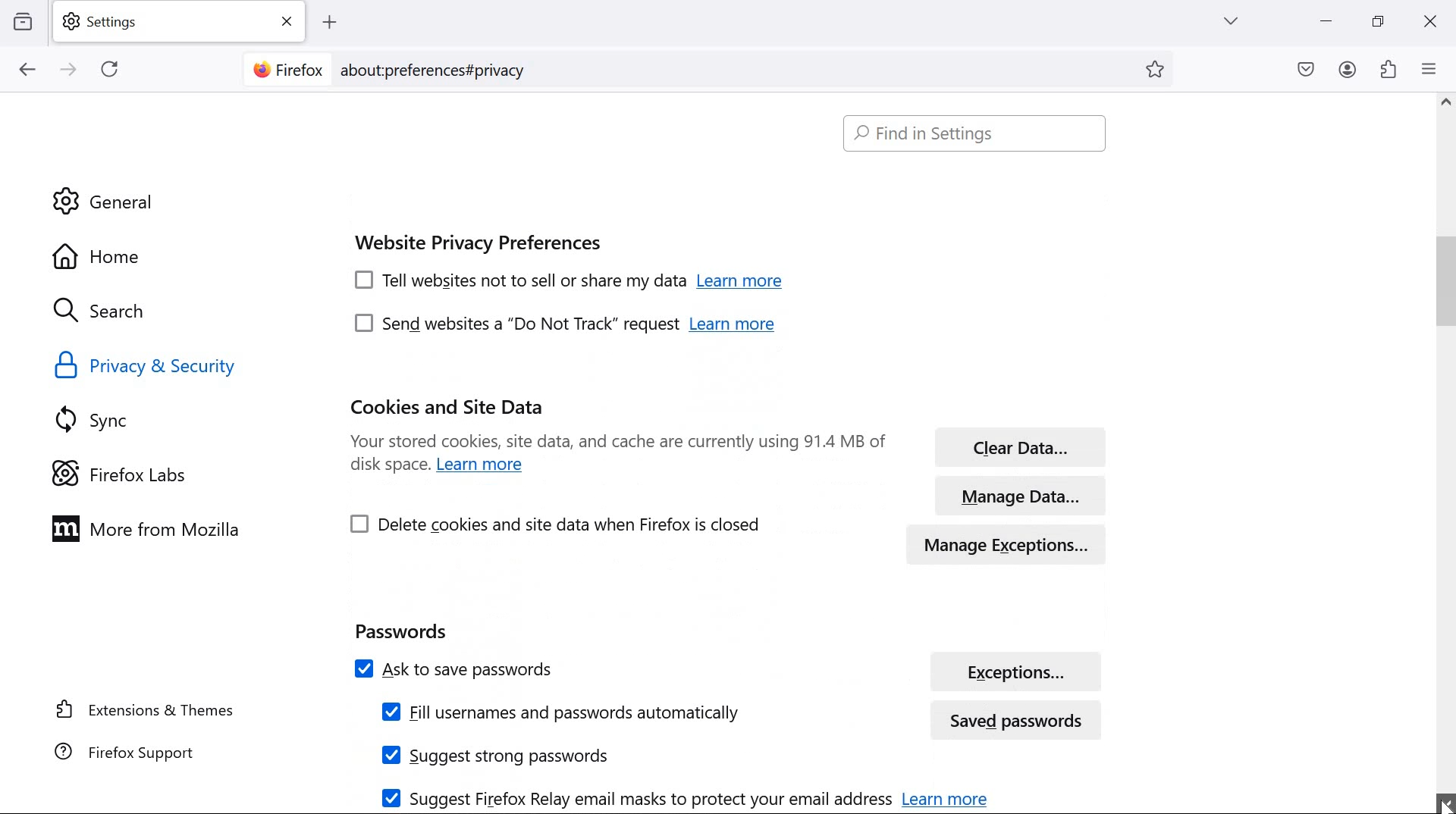  What do you see at coordinates (557, 521) in the screenshot?
I see ` Delete cookies and site data when Firefox is closed` at bounding box center [557, 521].